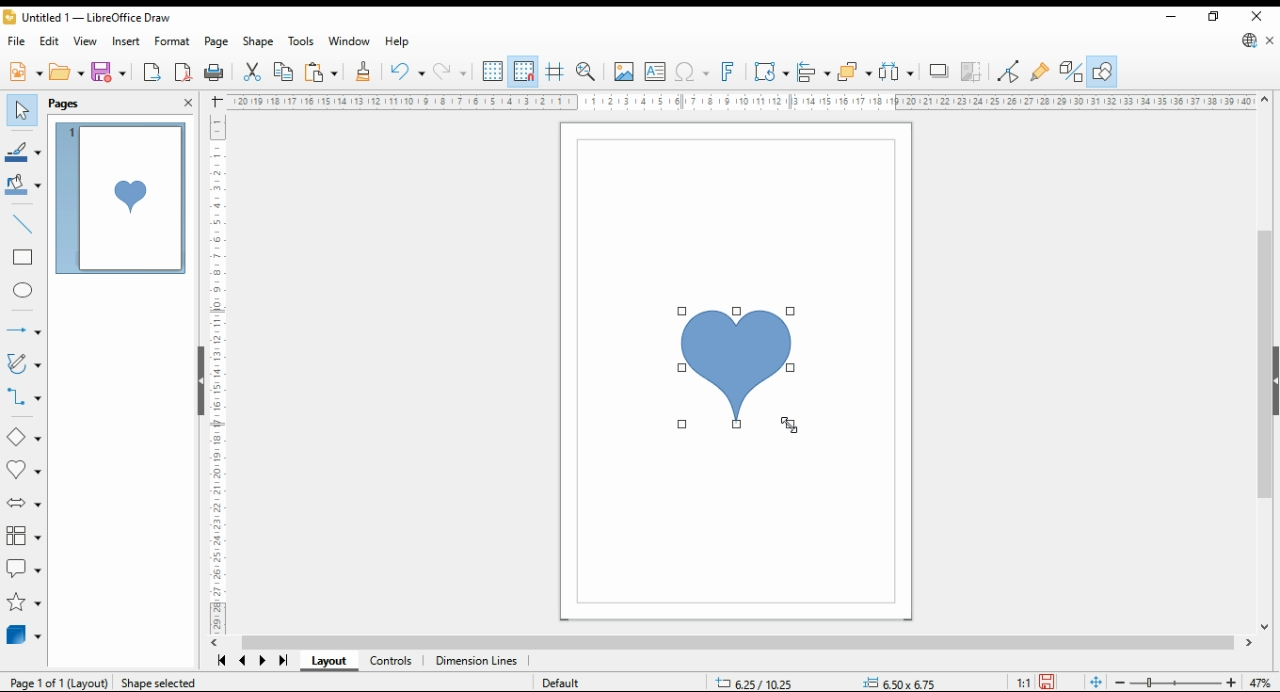 This screenshot has width=1280, height=692. What do you see at coordinates (252, 72) in the screenshot?
I see `cut` at bounding box center [252, 72].